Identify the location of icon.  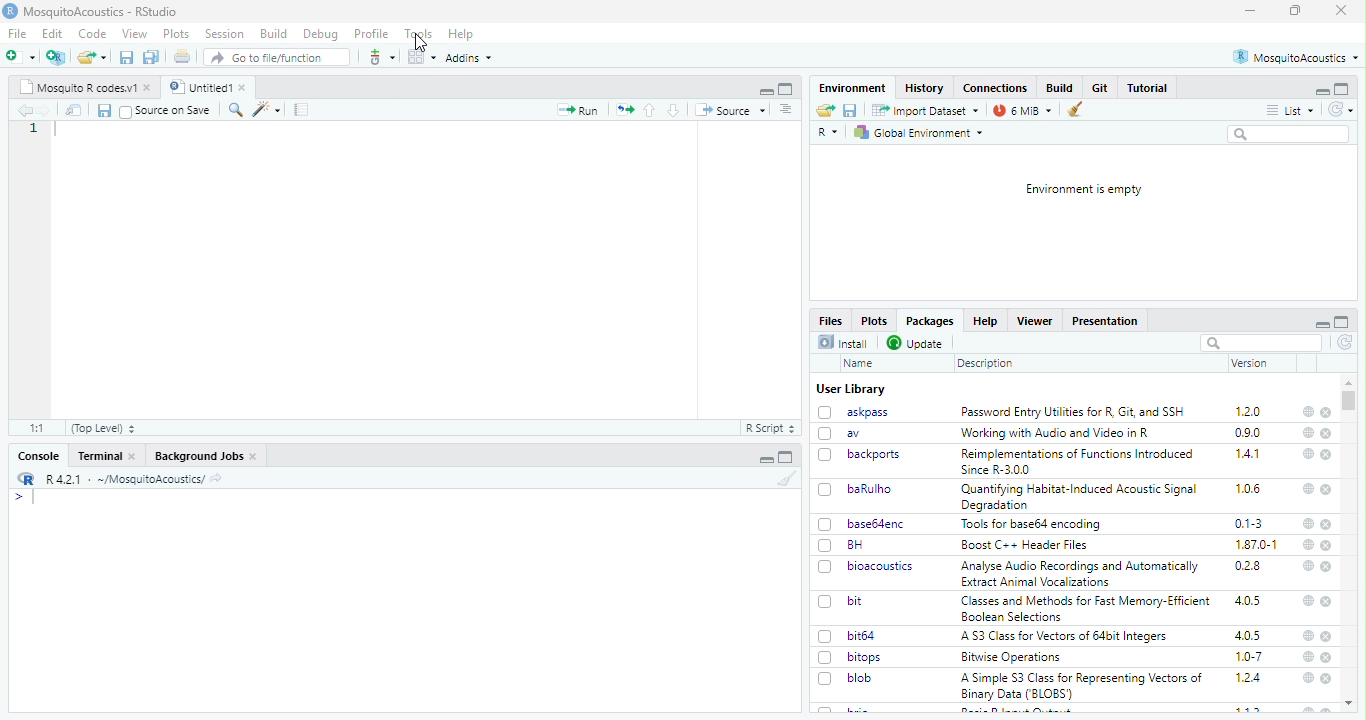
(624, 111).